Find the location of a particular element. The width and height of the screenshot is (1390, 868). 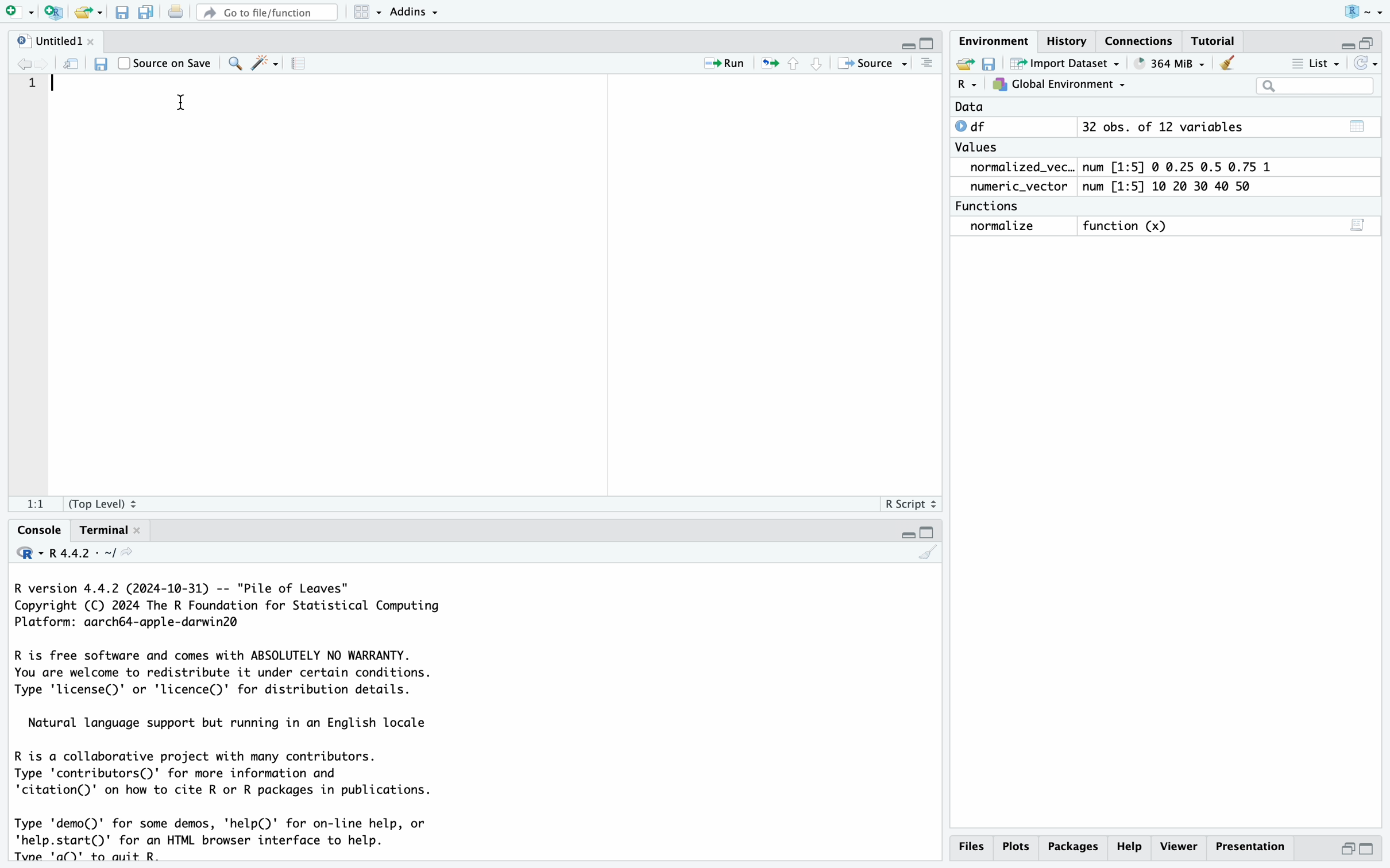

Code is located at coordinates (236, 720).